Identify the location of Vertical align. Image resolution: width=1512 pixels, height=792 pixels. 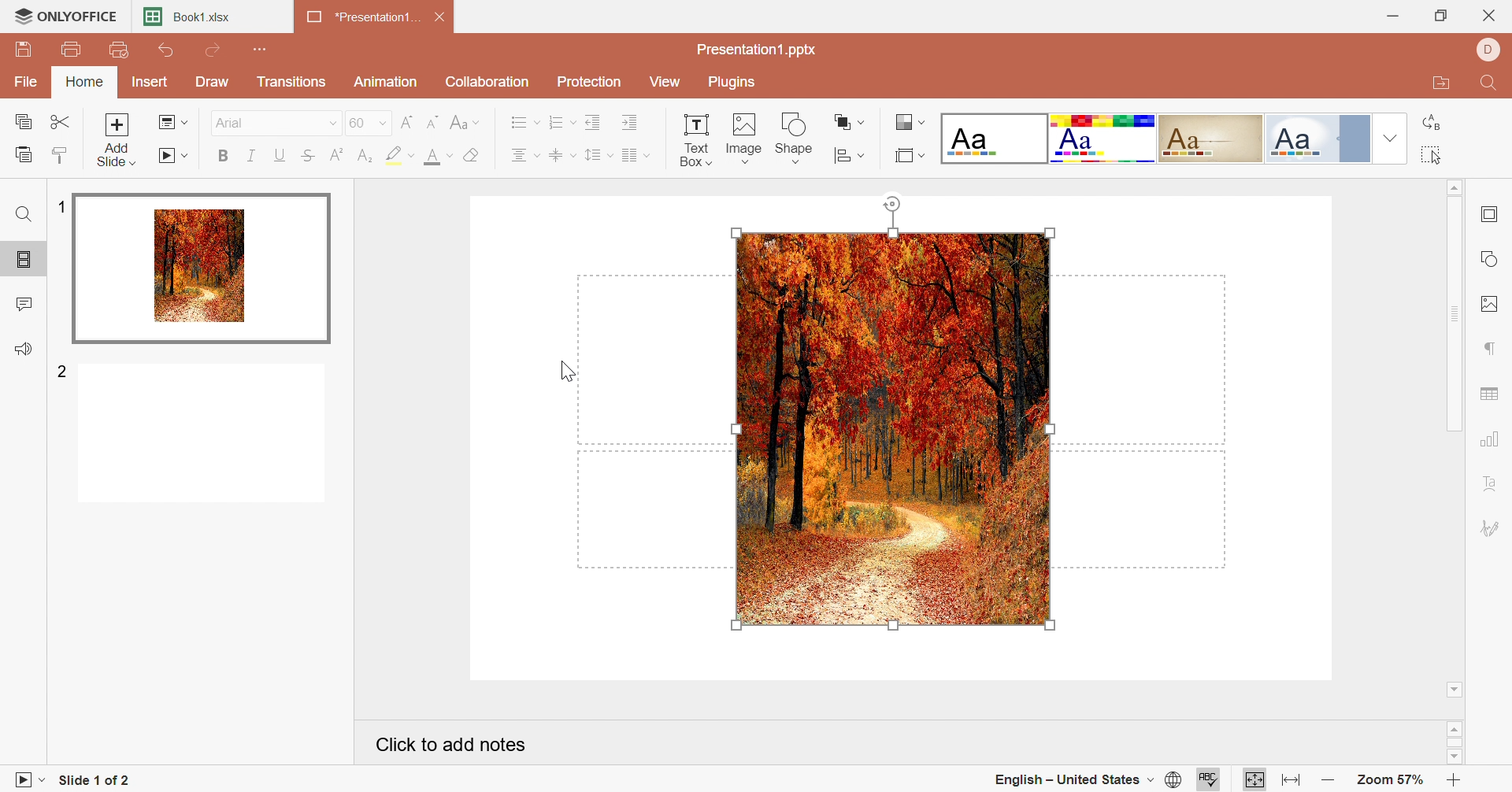
(562, 153).